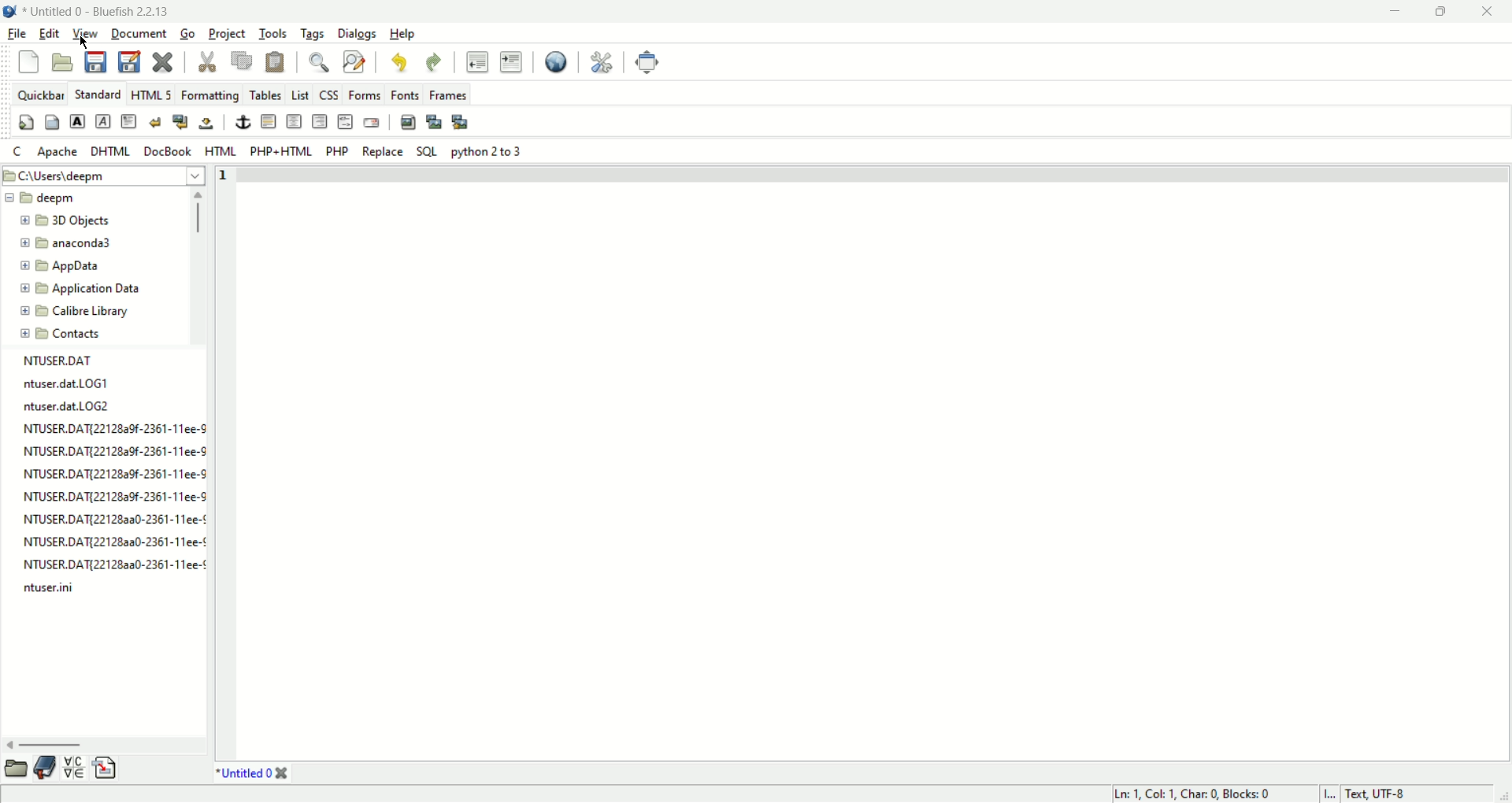 The image size is (1512, 803). I want to click on Forms, so click(362, 95).